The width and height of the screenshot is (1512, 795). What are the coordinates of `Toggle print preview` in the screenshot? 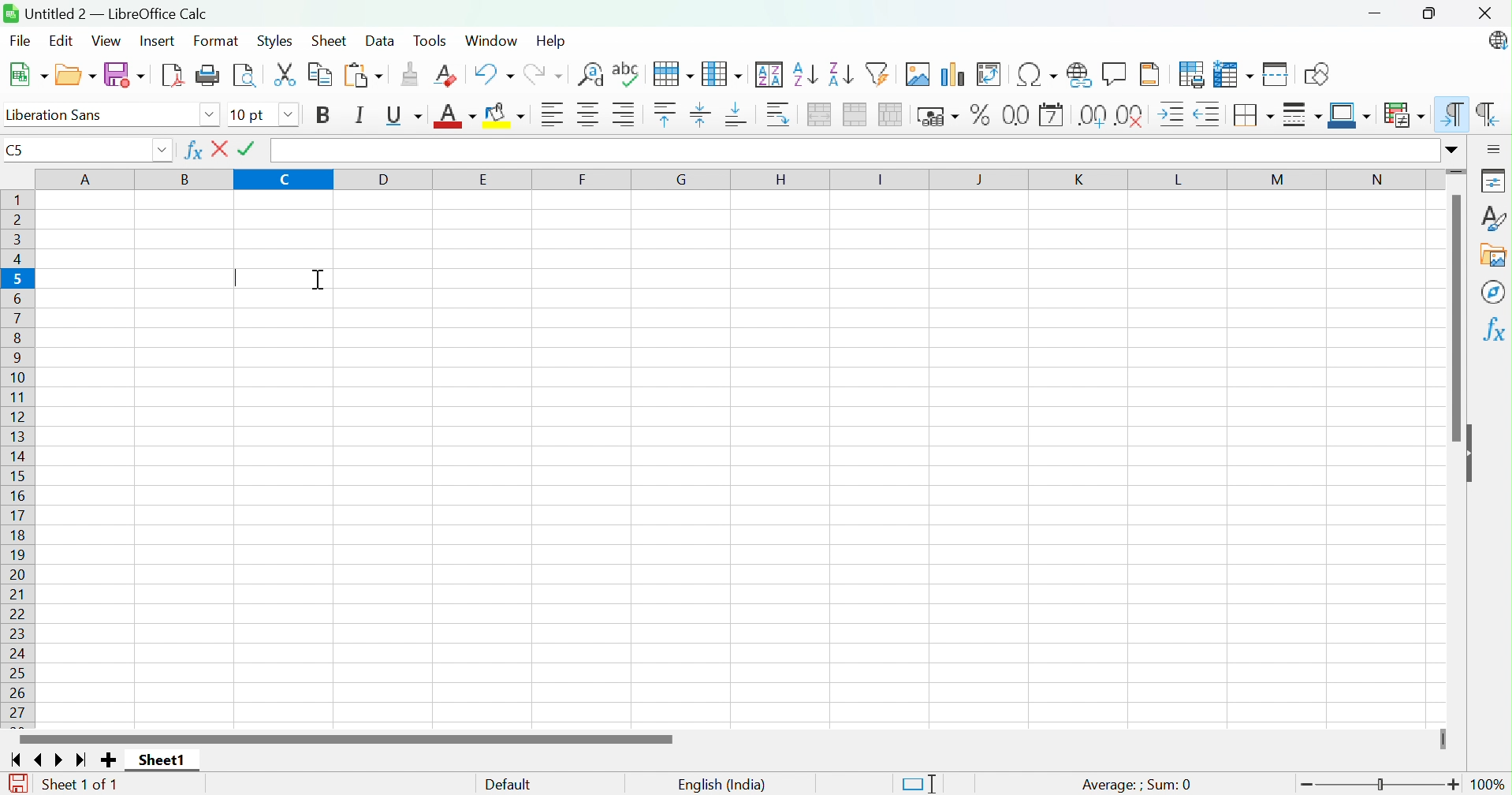 It's located at (245, 74).